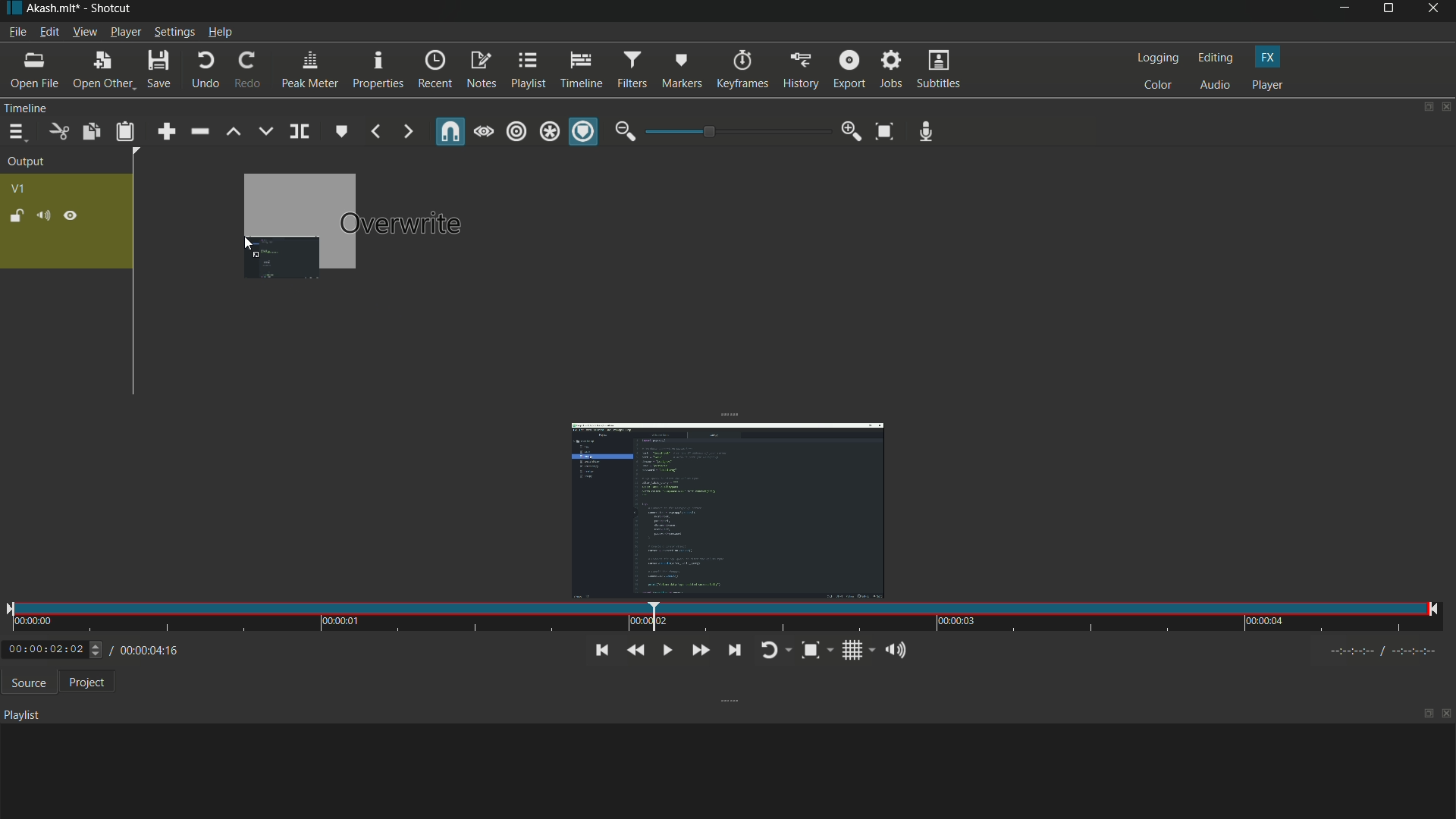 This screenshot has height=819, width=1456. What do you see at coordinates (125, 133) in the screenshot?
I see `paste` at bounding box center [125, 133].